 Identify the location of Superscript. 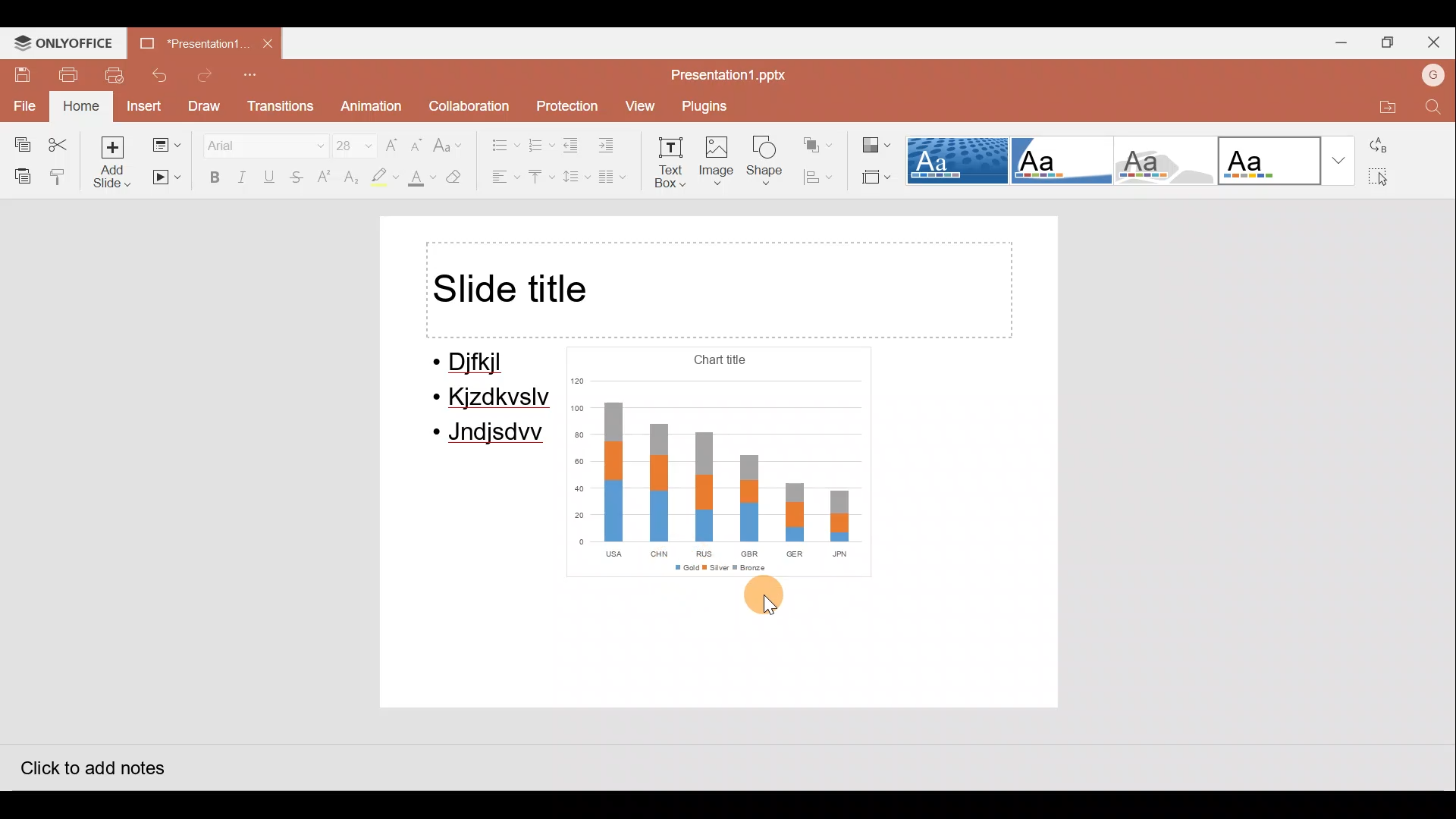
(325, 178).